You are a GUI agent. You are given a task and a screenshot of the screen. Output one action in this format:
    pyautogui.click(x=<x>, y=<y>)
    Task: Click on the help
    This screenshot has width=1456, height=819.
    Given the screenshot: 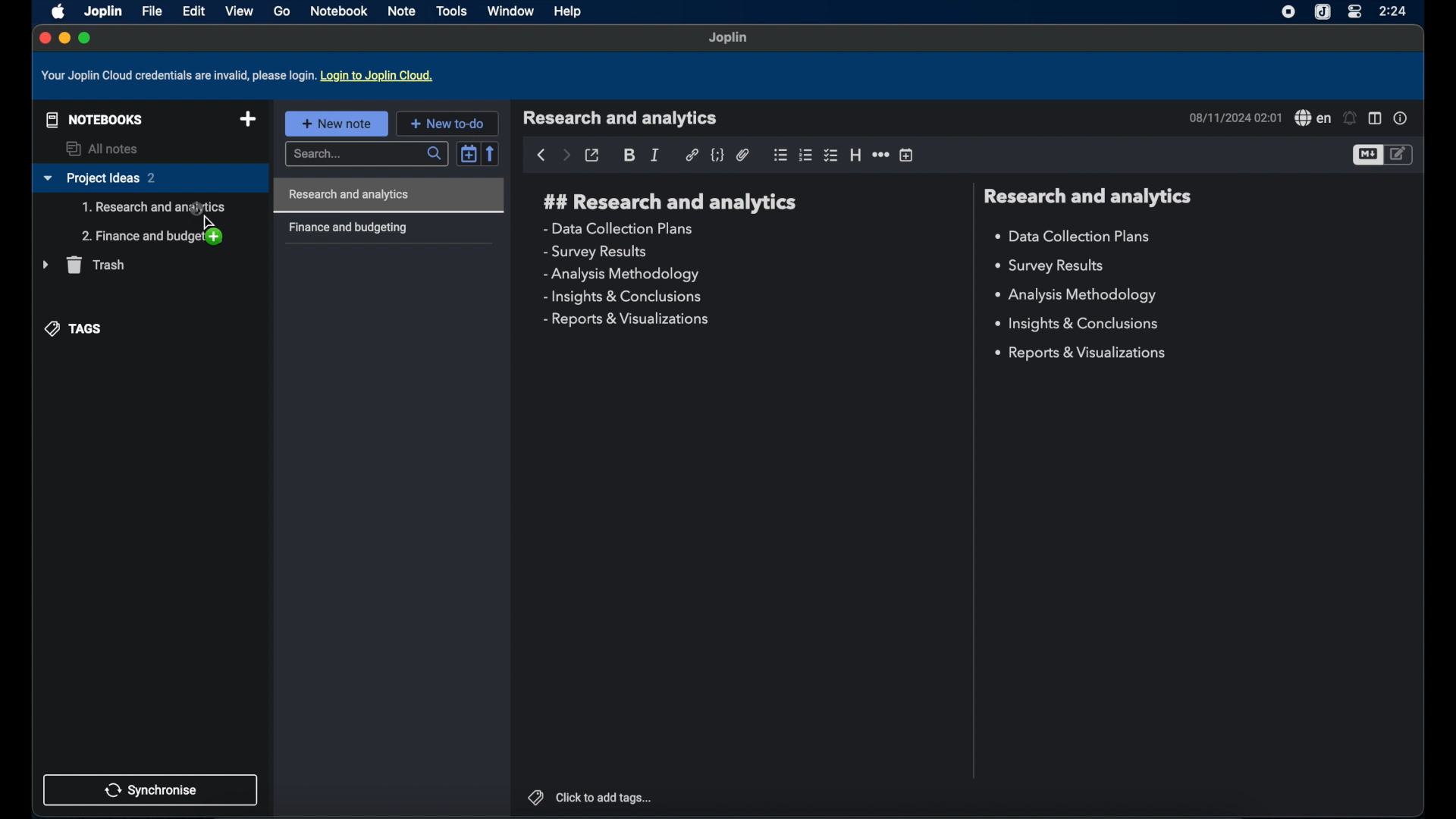 What is the action you would take?
    pyautogui.click(x=569, y=13)
    